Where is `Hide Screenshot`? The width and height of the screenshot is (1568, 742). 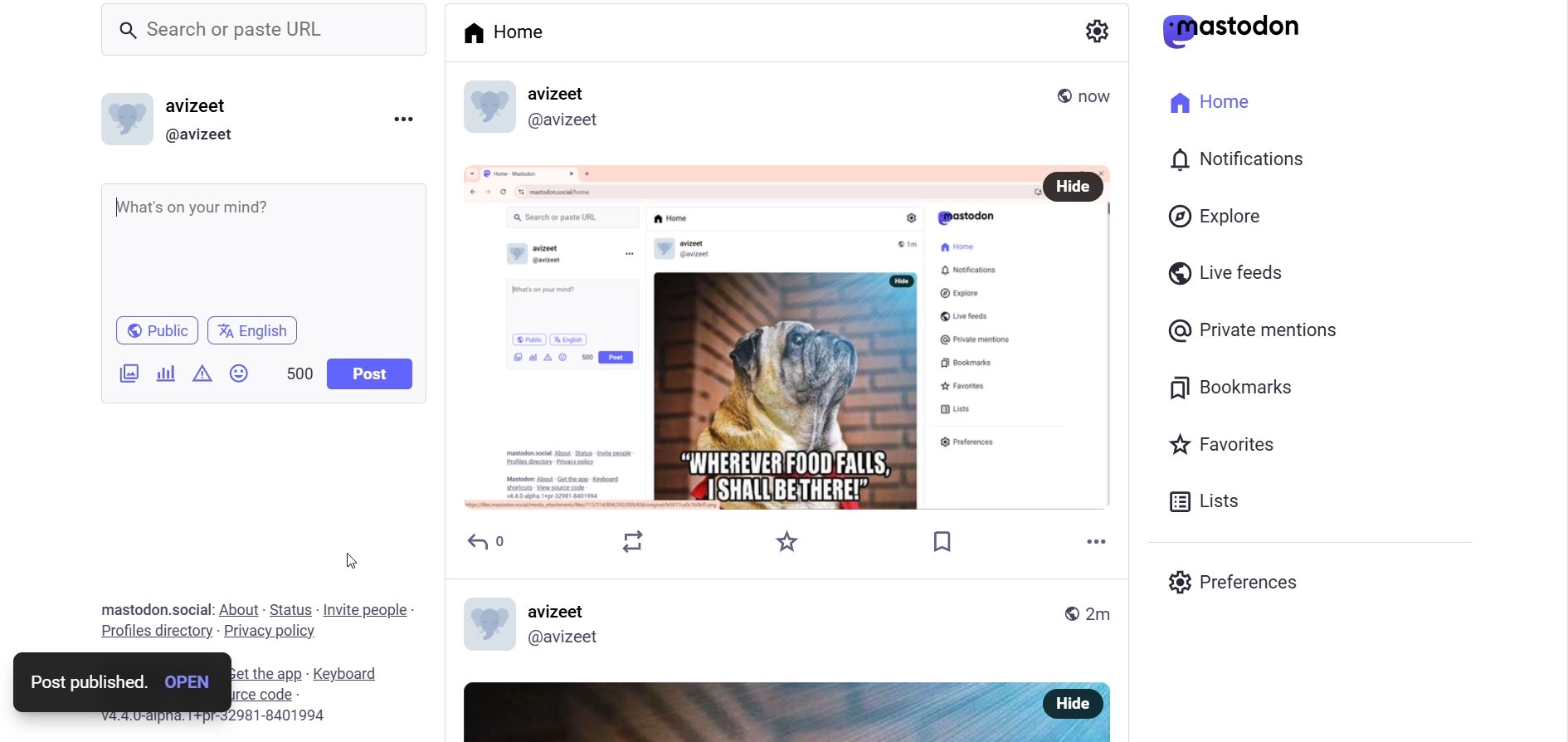 Hide Screenshot is located at coordinates (1074, 187).